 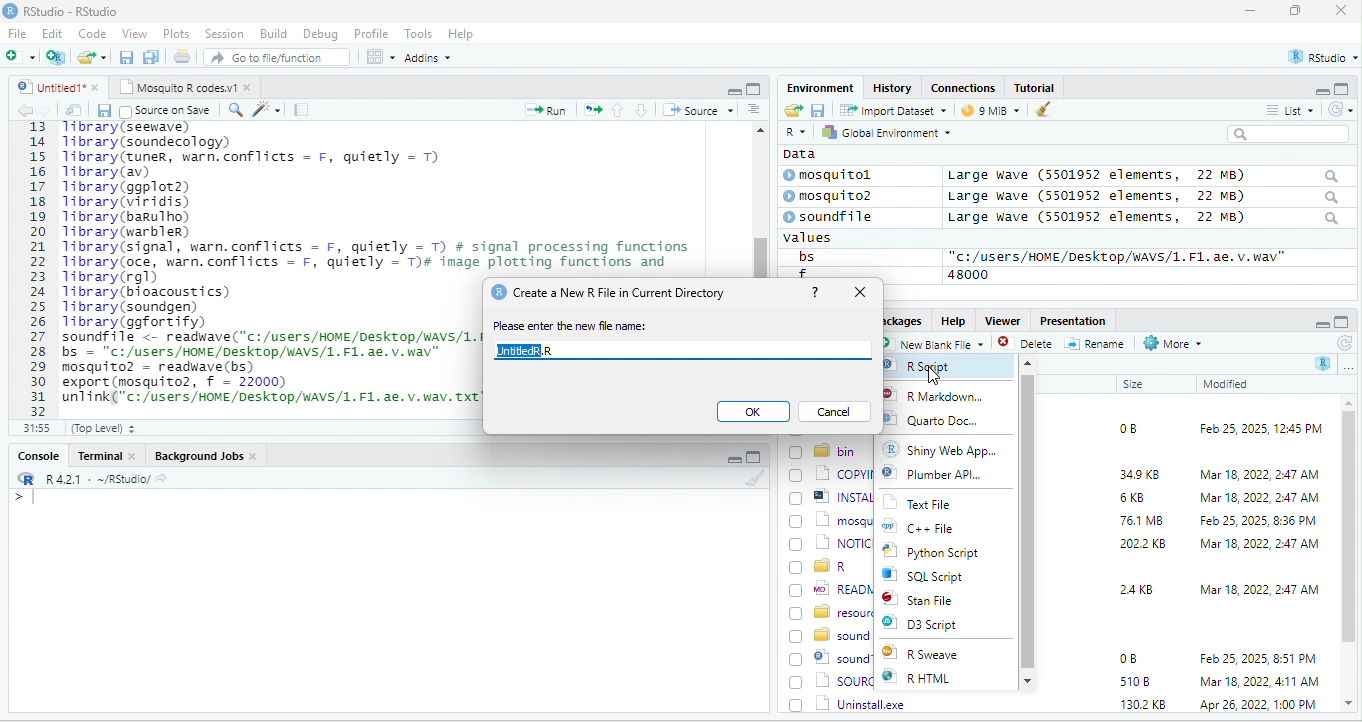 What do you see at coordinates (20, 500) in the screenshot?
I see `syntax` at bounding box center [20, 500].